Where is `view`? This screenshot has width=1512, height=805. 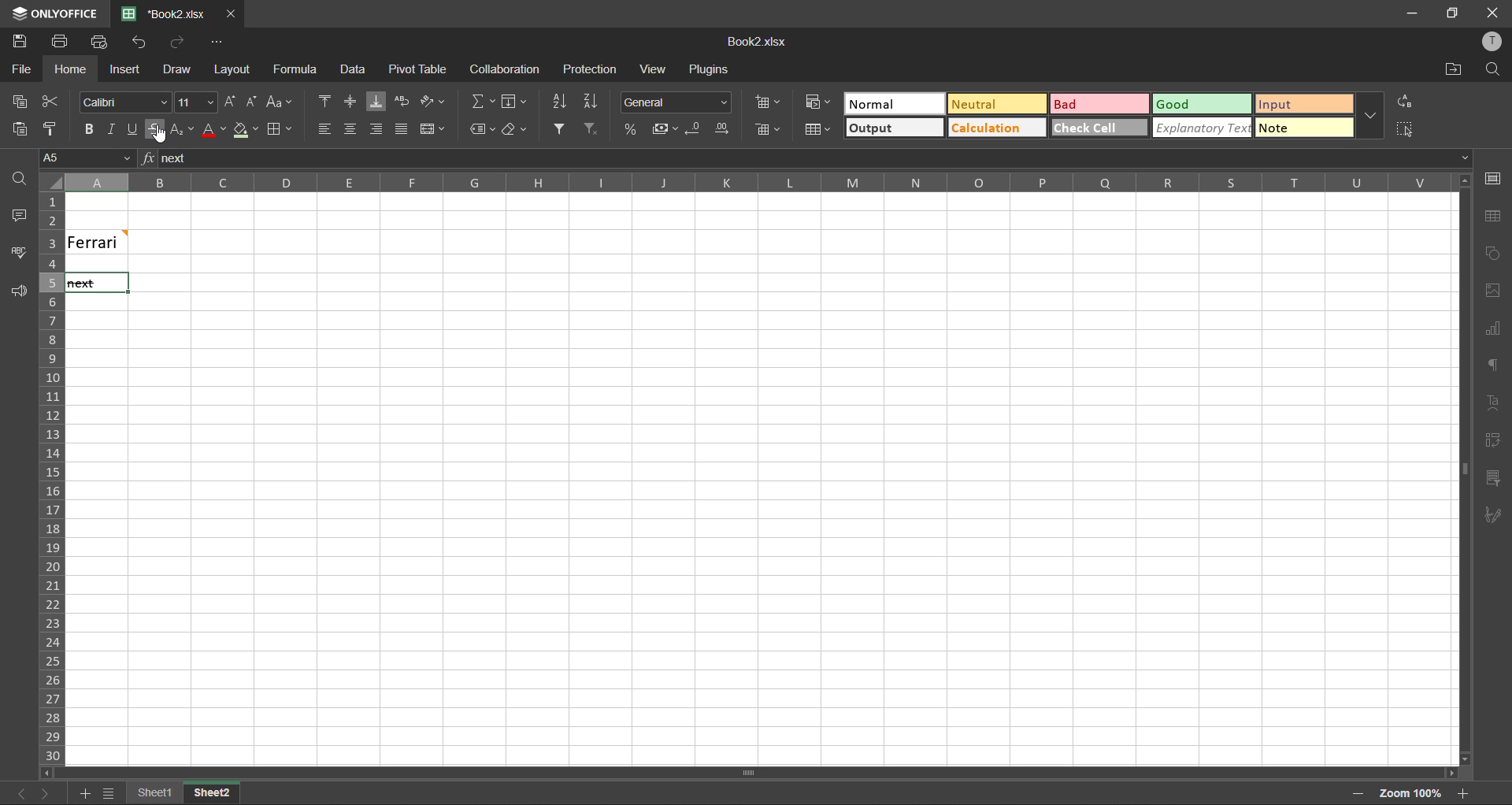 view is located at coordinates (656, 69).